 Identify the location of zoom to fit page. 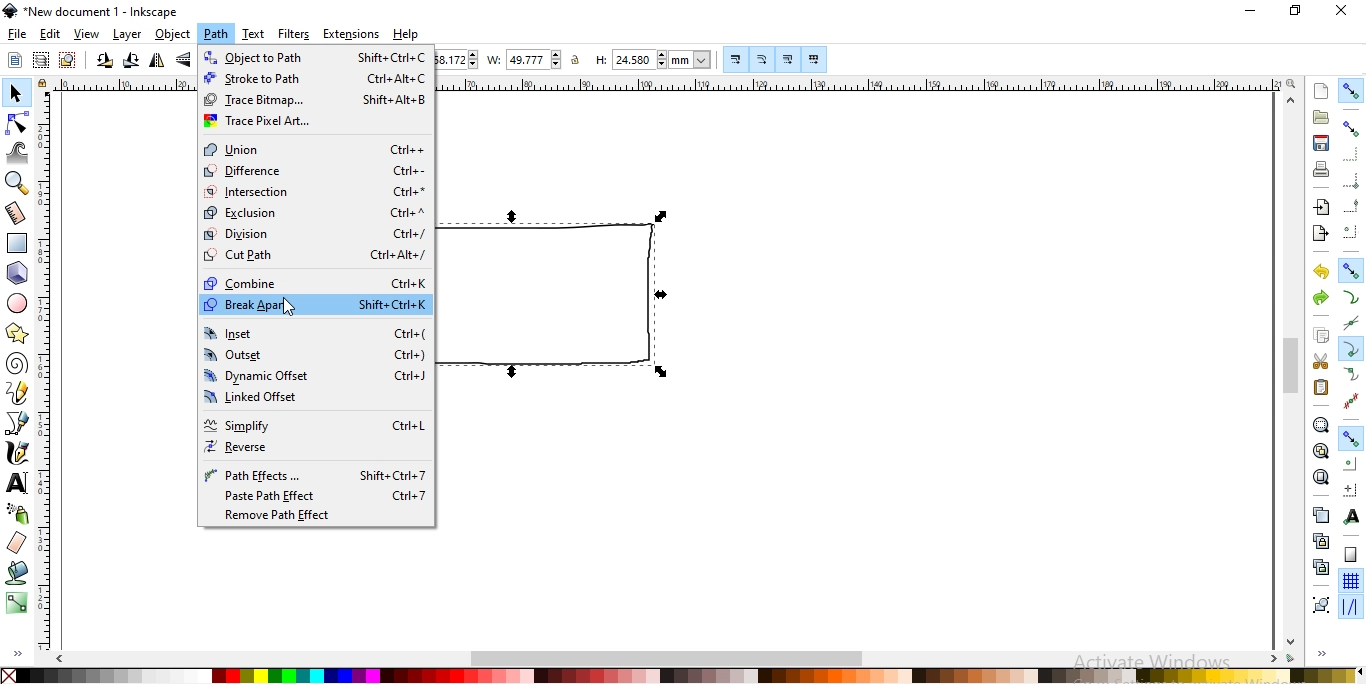
(1322, 477).